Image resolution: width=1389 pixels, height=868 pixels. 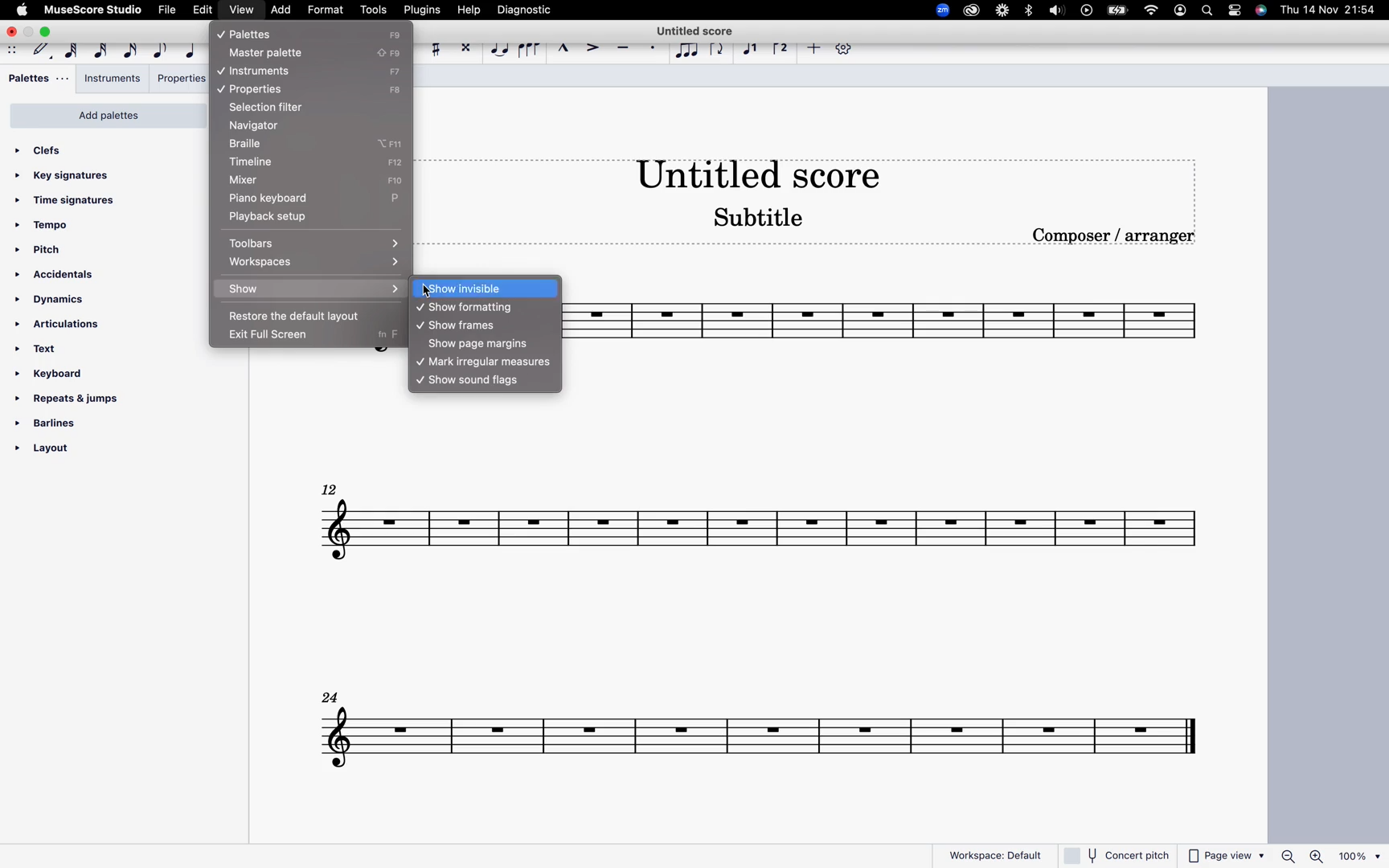 I want to click on cursor, so click(x=428, y=284).